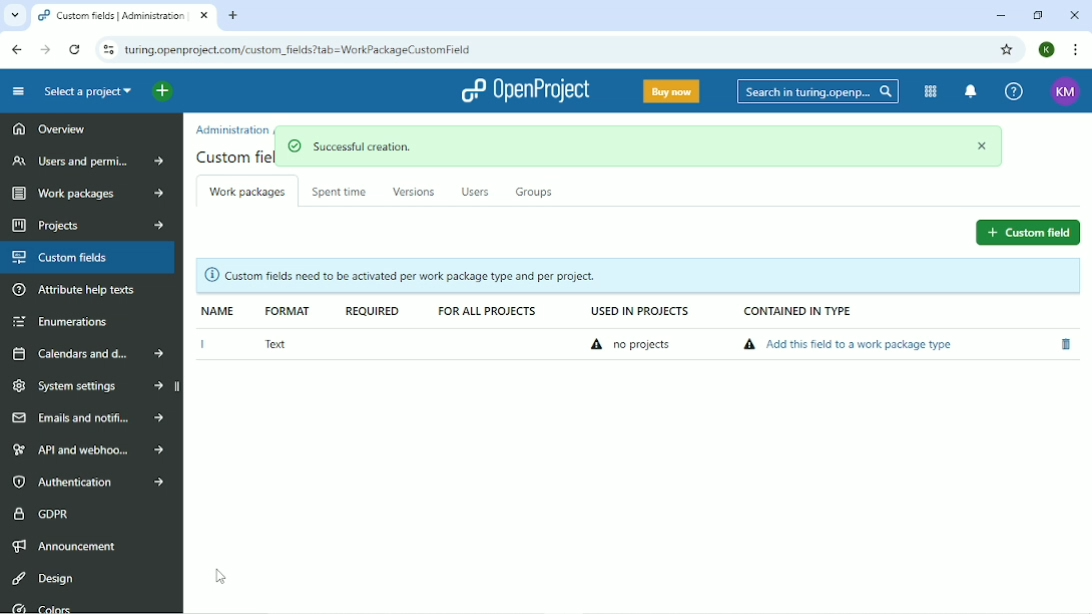  Describe the element at coordinates (276, 344) in the screenshot. I see `Text` at that location.